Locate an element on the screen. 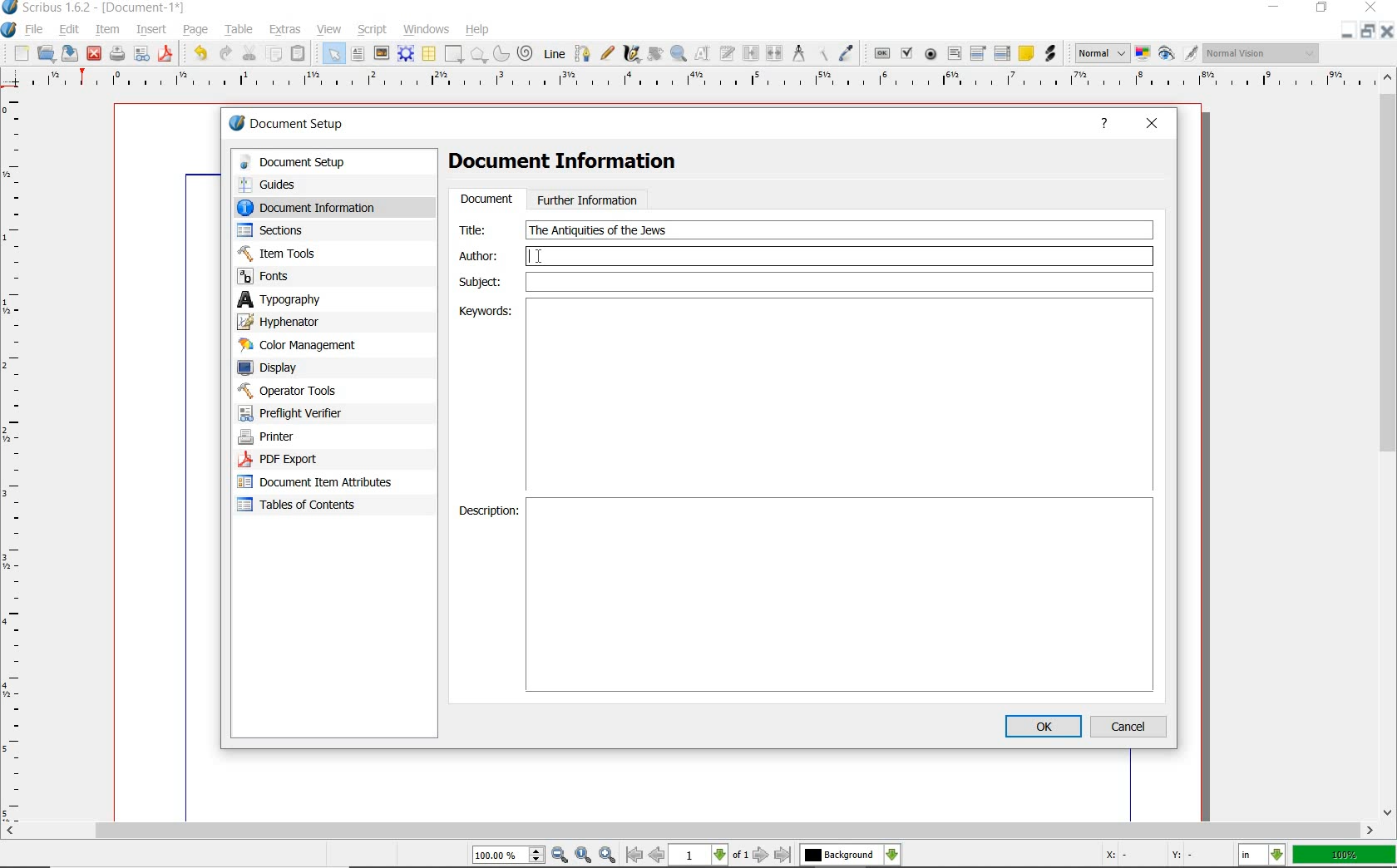 The height and width of the screenshot is (868, 1397). select the current unit is located at coordinates (1261, 855).